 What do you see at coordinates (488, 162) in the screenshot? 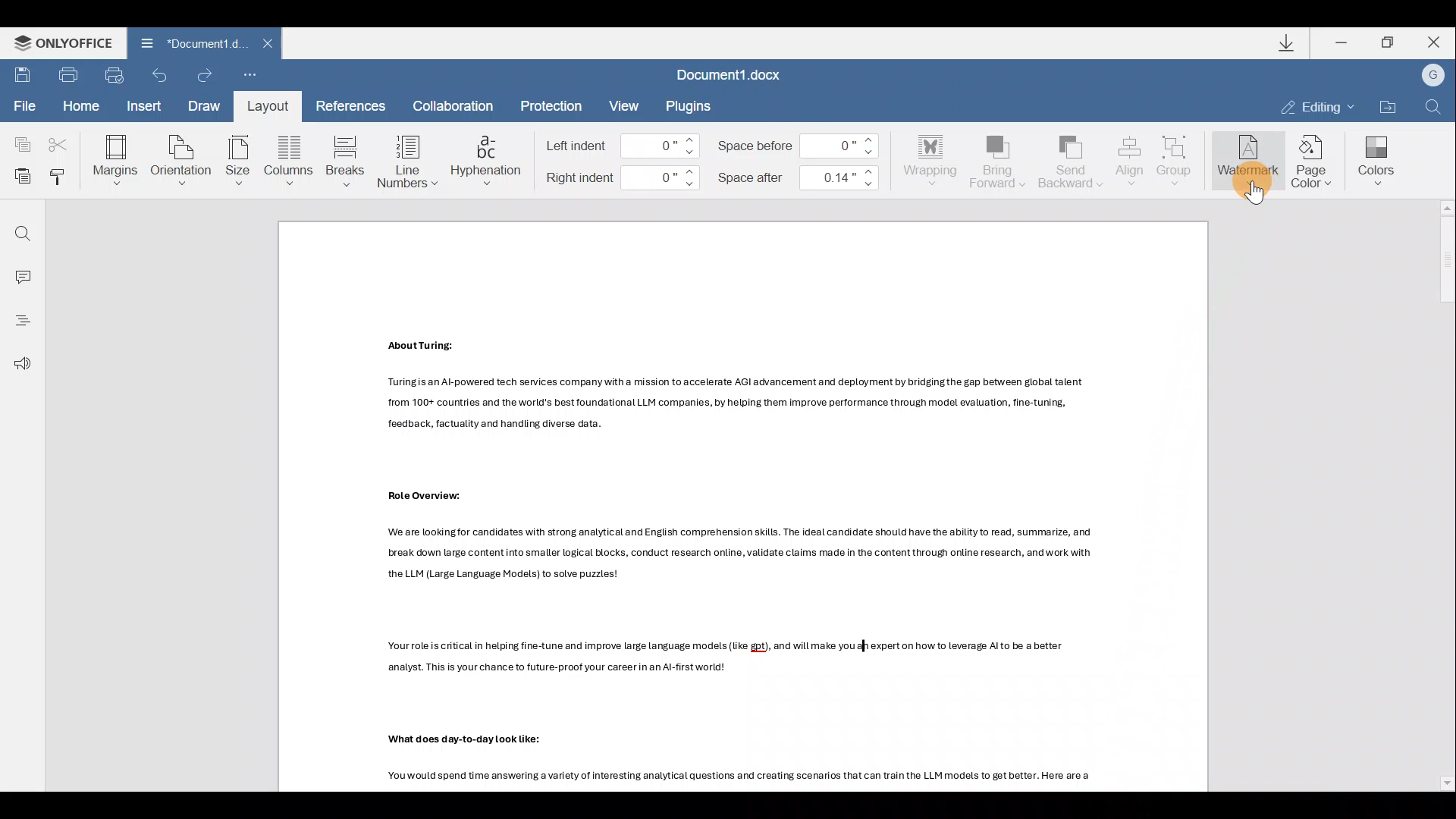
I see `Hyphenation` at bounding box center [488, 162].